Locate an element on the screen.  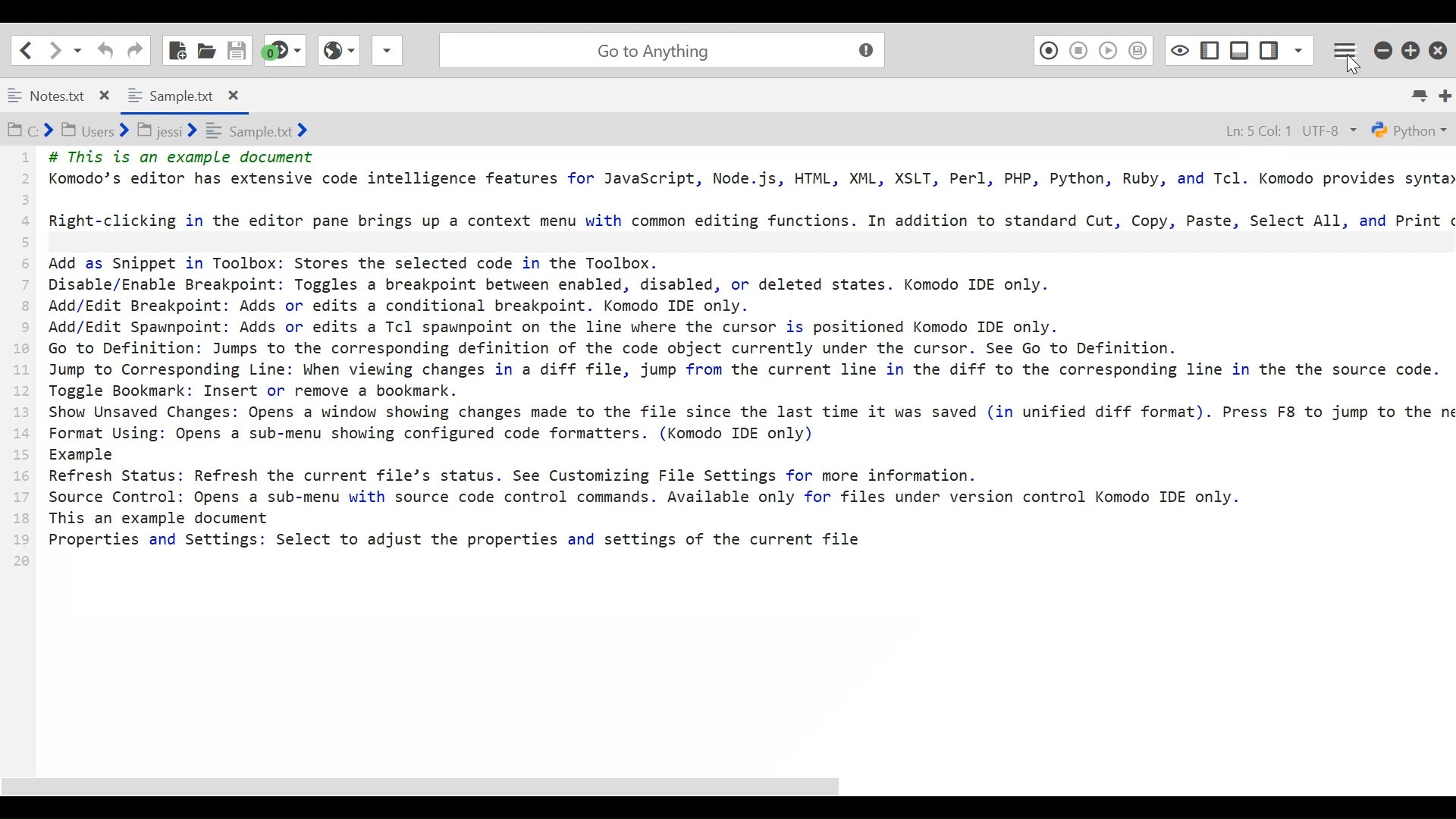
Cursor is located at coordinates (1357, 64).